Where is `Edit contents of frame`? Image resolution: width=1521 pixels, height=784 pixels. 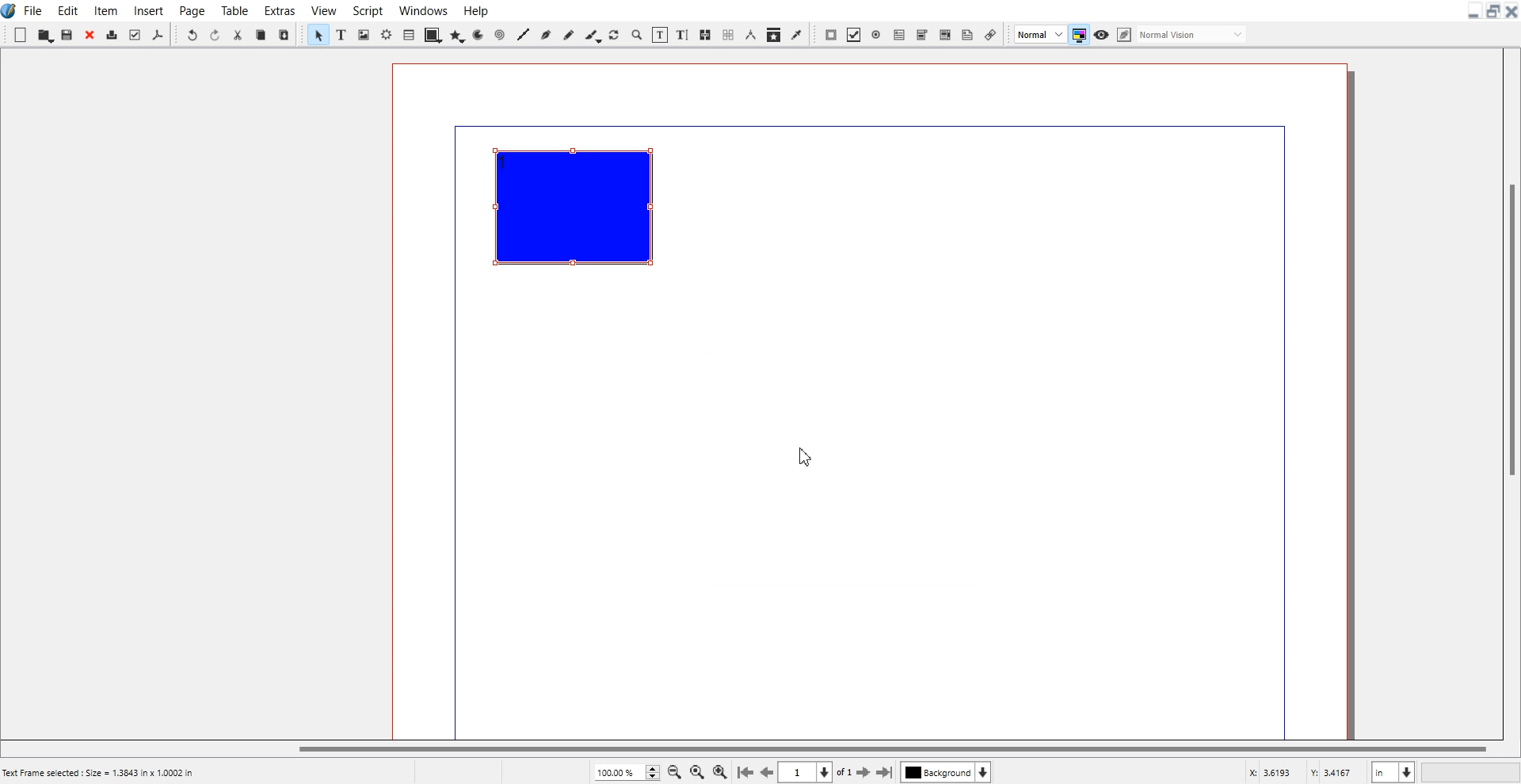 Edit contents of frame is located at coordinates (661, 35).